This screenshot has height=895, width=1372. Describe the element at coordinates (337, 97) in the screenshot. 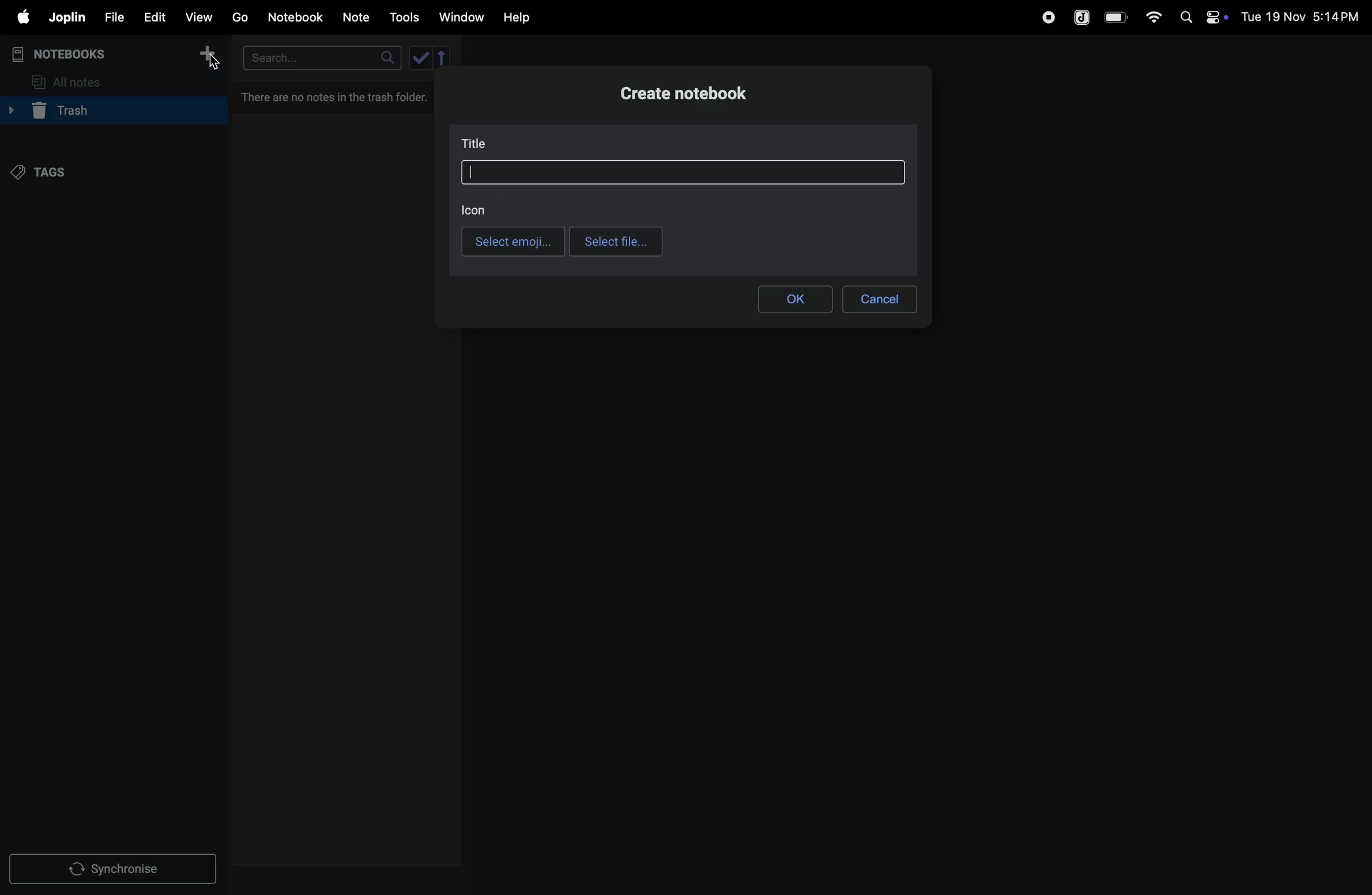

I see `there are no notes in trash folder` at that location.